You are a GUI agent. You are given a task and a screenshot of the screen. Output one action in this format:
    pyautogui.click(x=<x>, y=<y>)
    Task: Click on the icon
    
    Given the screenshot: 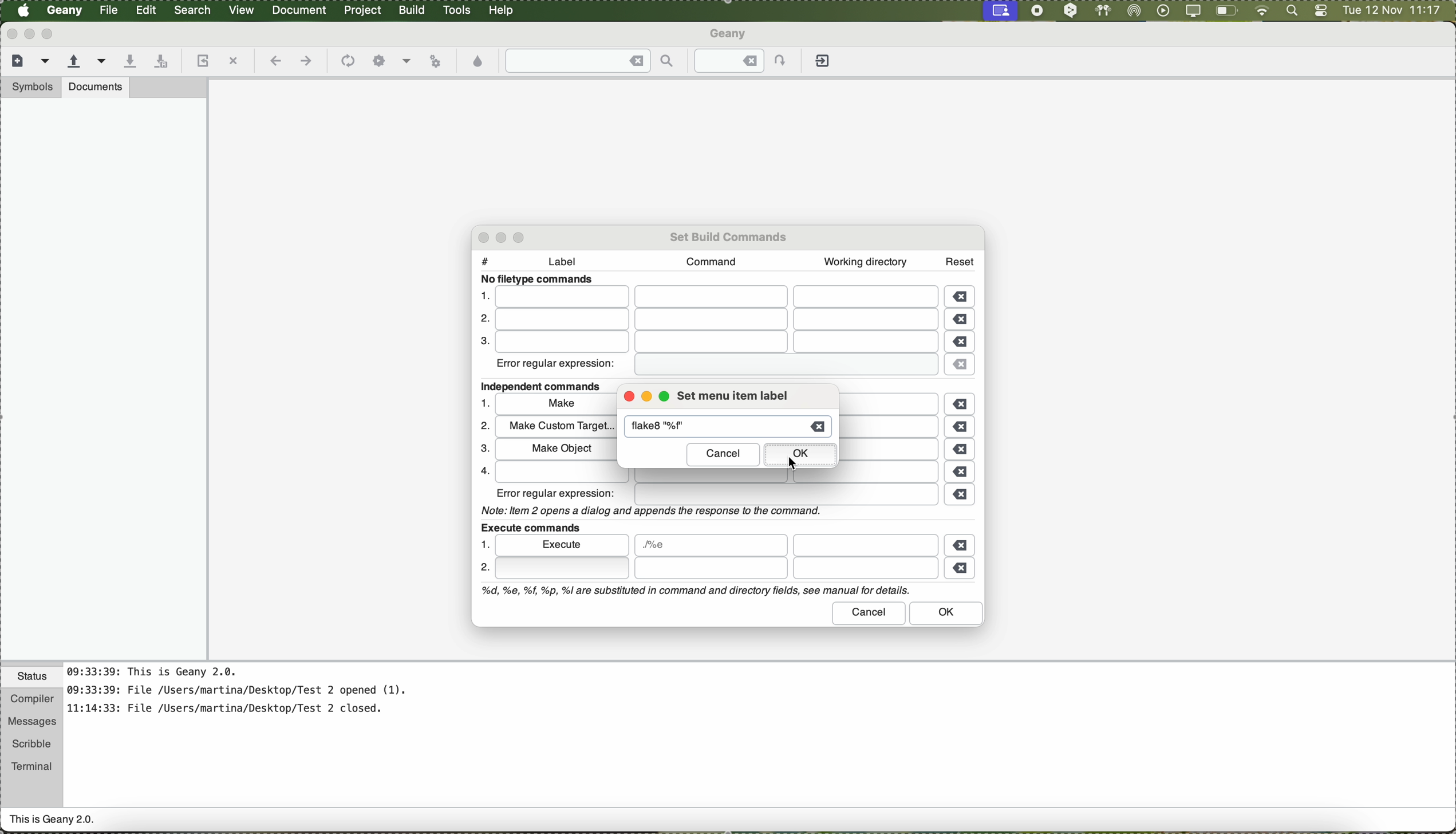 What is the action you would take?
    pyautogui.click(x=346, y=62)
    